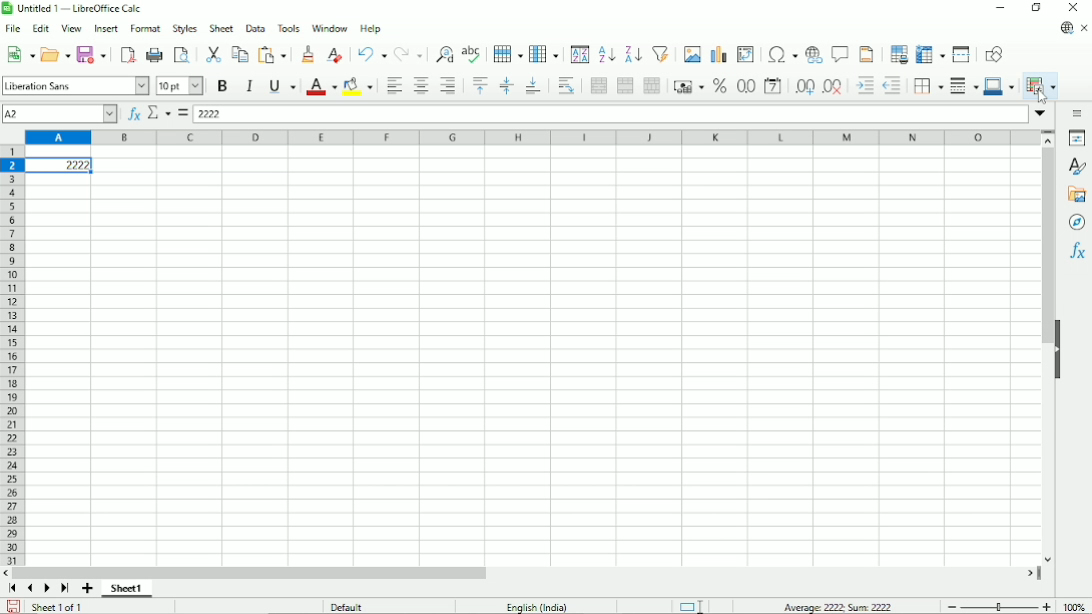  I want to click on Functions, so click(1078, 251).